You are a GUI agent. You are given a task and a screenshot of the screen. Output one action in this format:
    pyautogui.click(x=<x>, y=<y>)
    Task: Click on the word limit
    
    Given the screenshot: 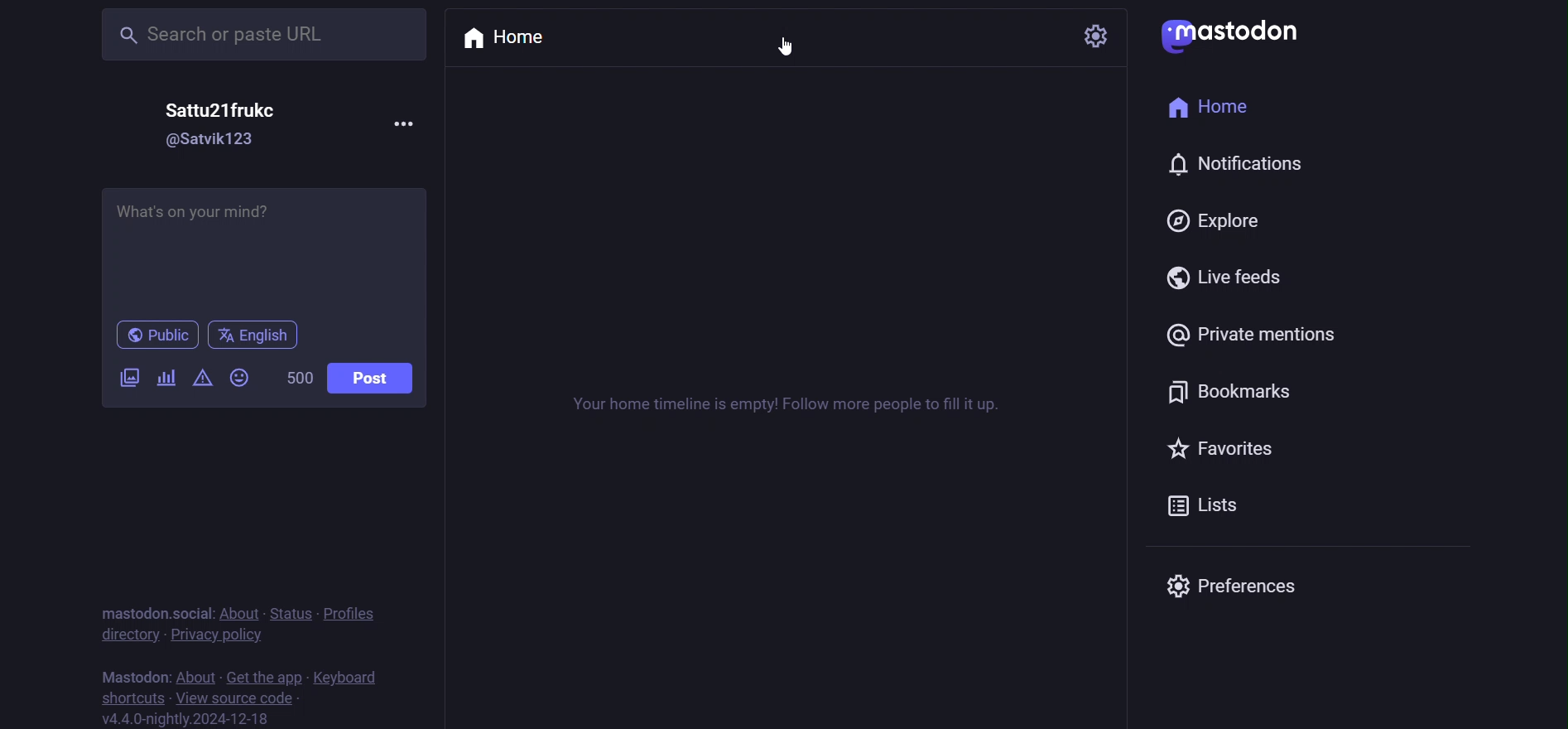 What is the action you would take?
    pyautogui.click(x=295, y=378)
    